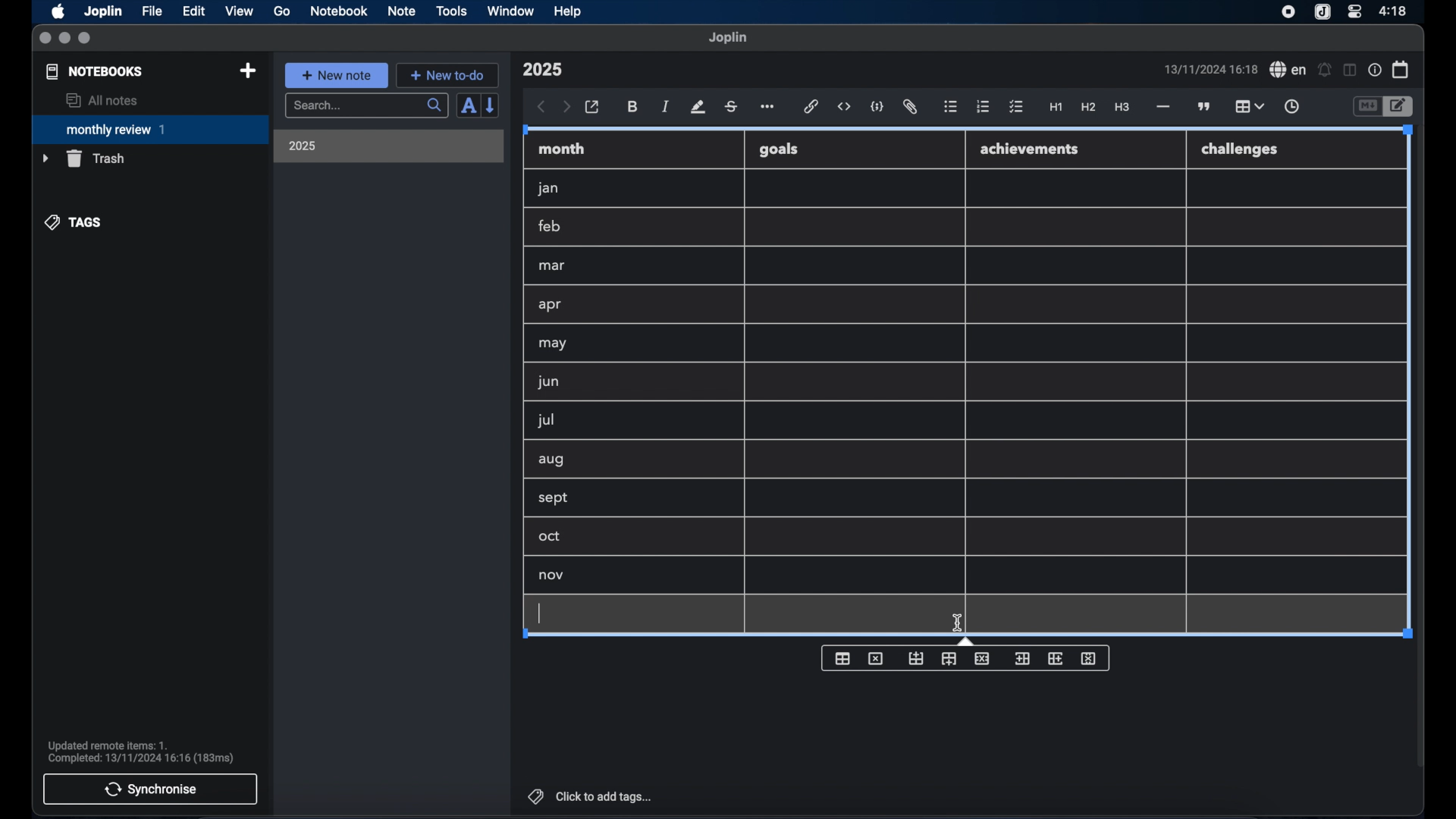  I want to click on edit, so click(195, 11).